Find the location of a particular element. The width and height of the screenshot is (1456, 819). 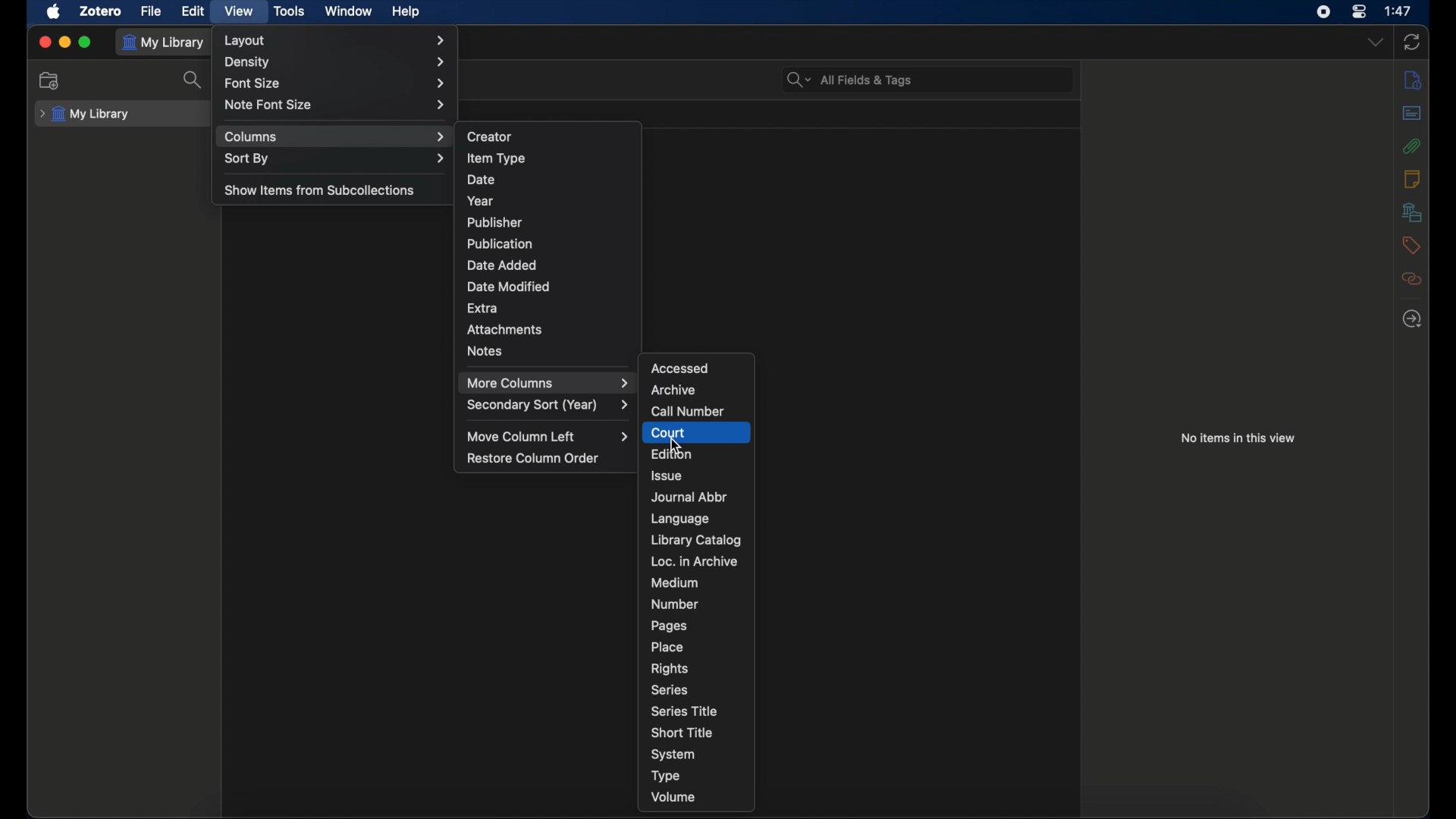

dropdown is located at coordinates (1376, 42).